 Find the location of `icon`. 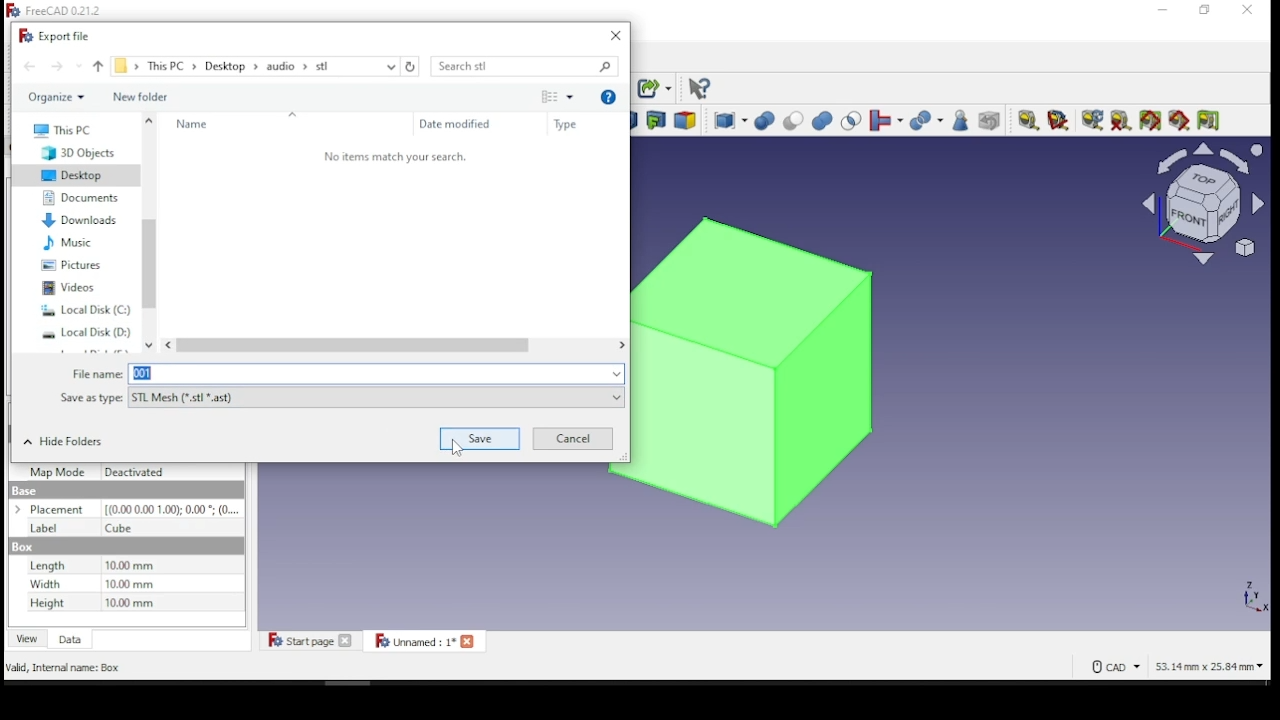

icon is located at coordinates (57, 13).